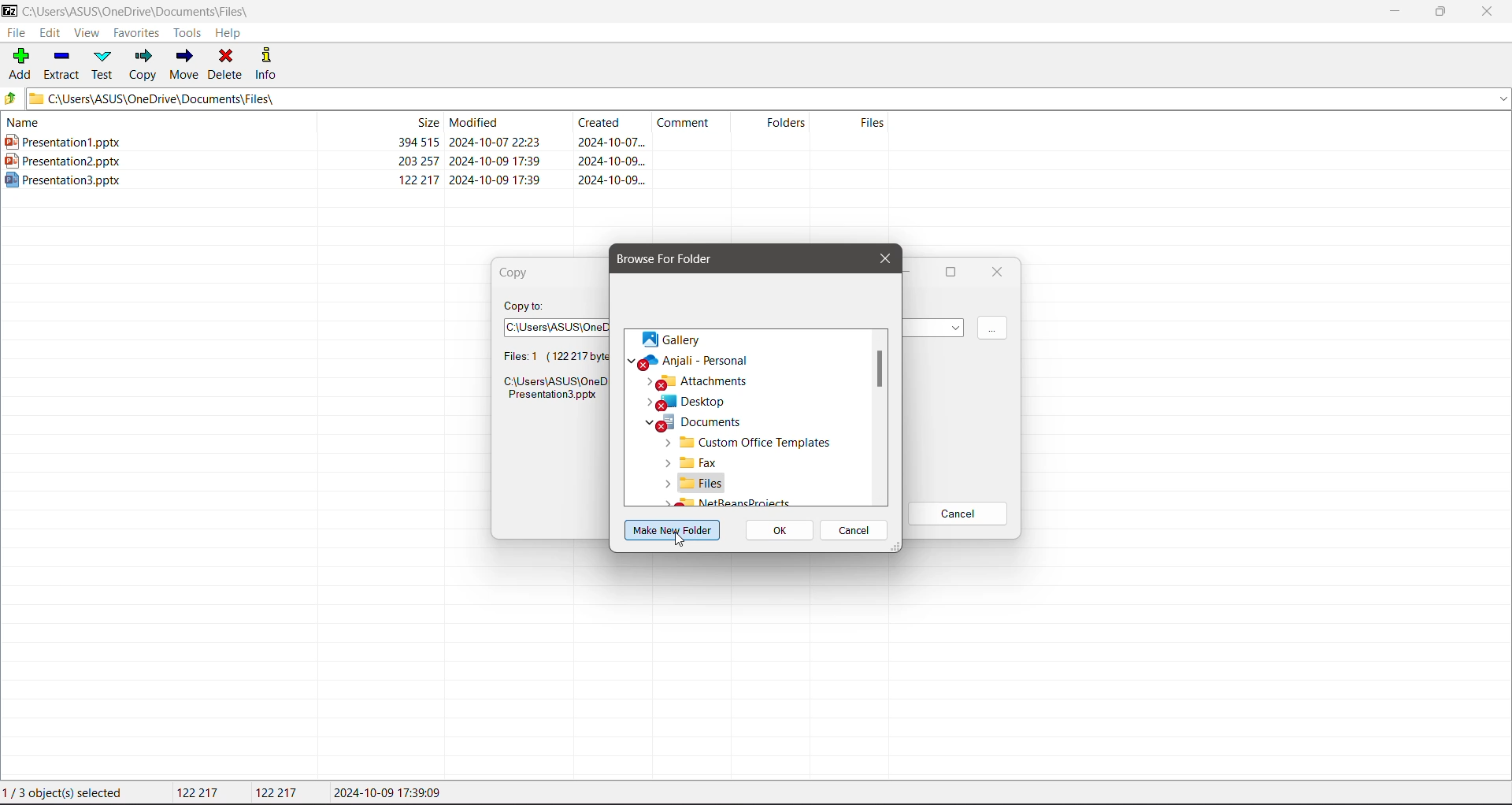 The image size is (1512, 805). What do you see at coordinates (86, 33) in the screenshot?
I see `View` at bounding box center [86, 33].